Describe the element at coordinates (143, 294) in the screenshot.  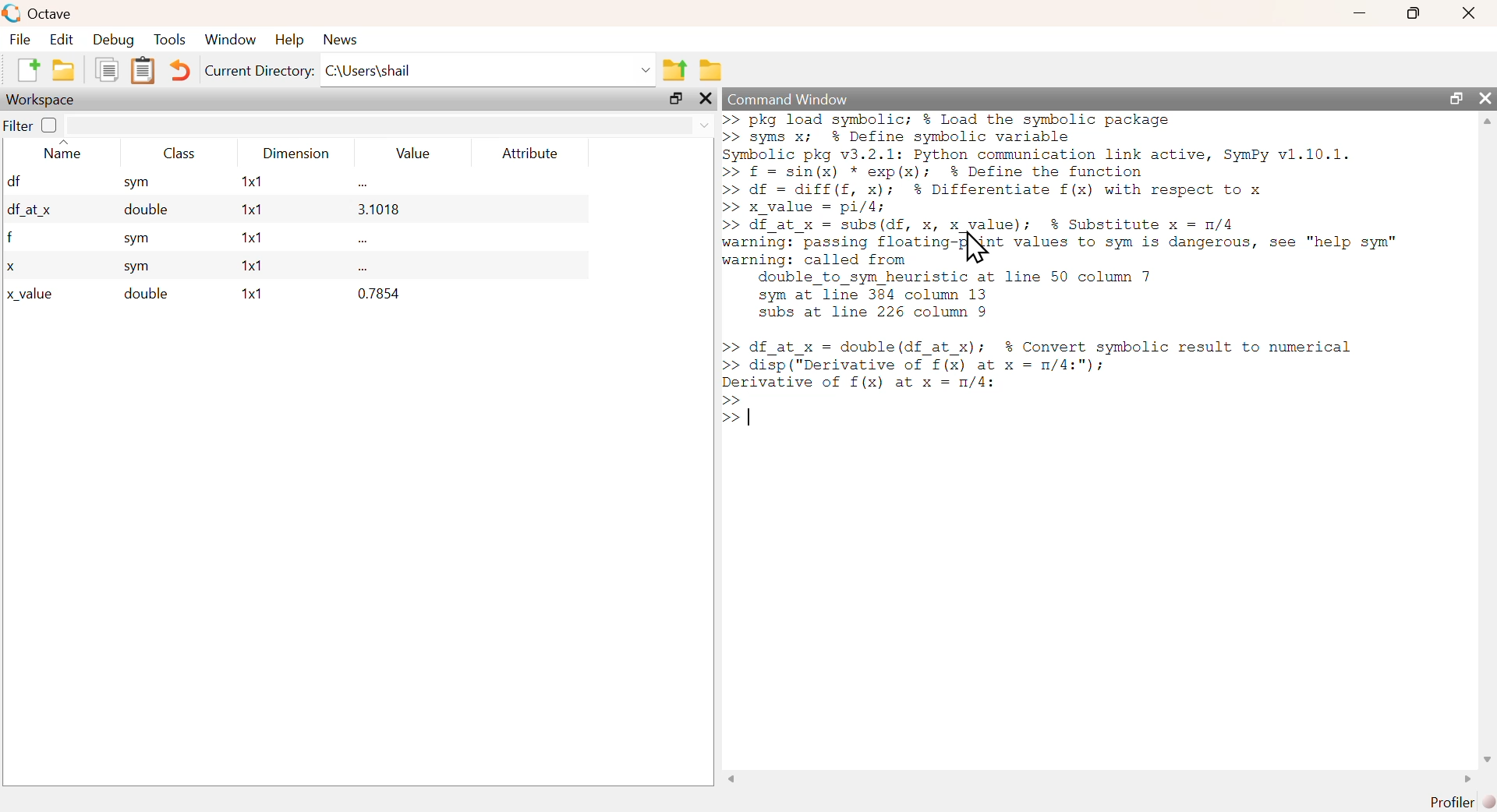
I see `double` at that location.